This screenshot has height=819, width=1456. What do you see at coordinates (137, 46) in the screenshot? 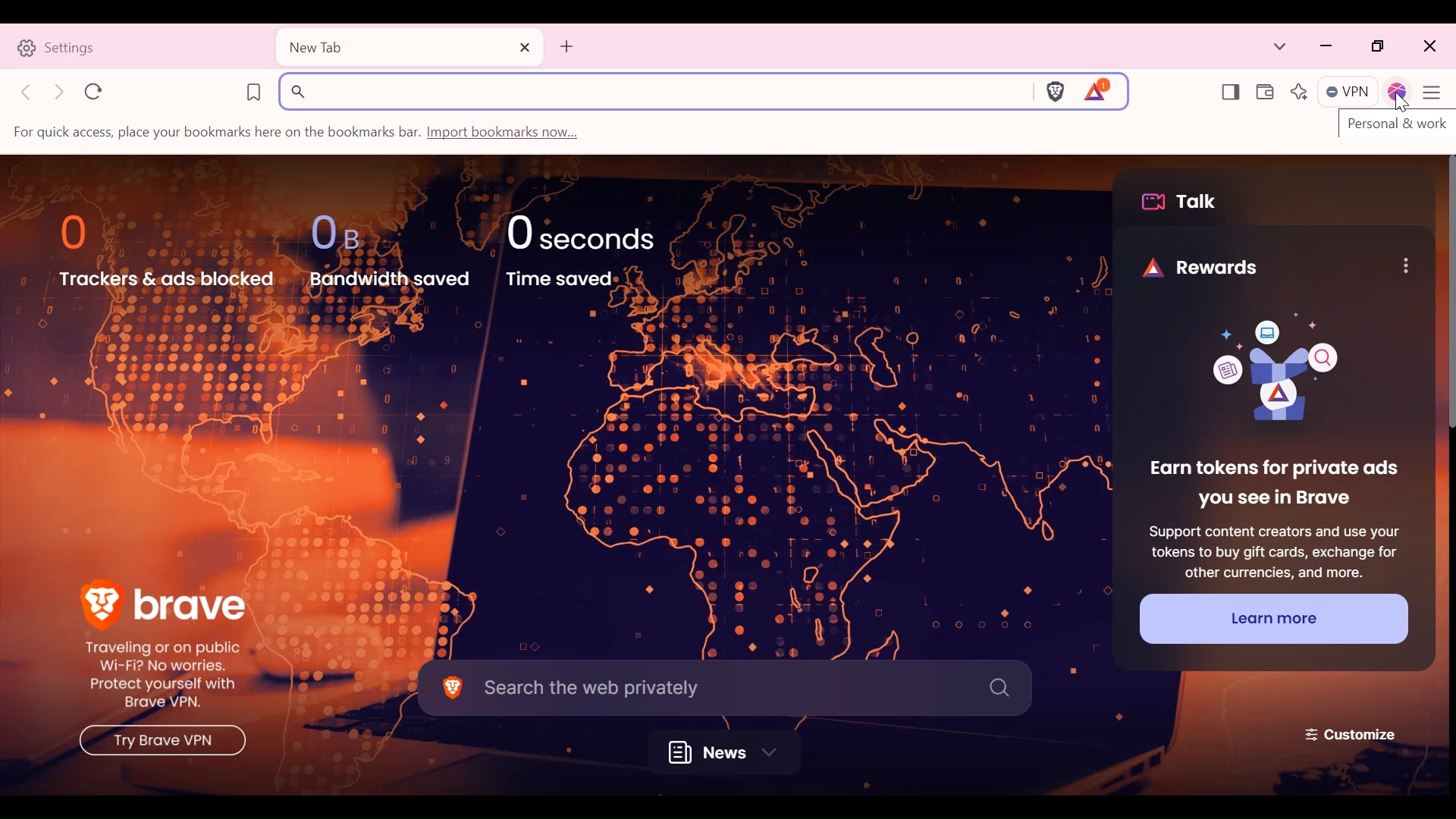
I see `Settings` at bounding box center [137, 46].